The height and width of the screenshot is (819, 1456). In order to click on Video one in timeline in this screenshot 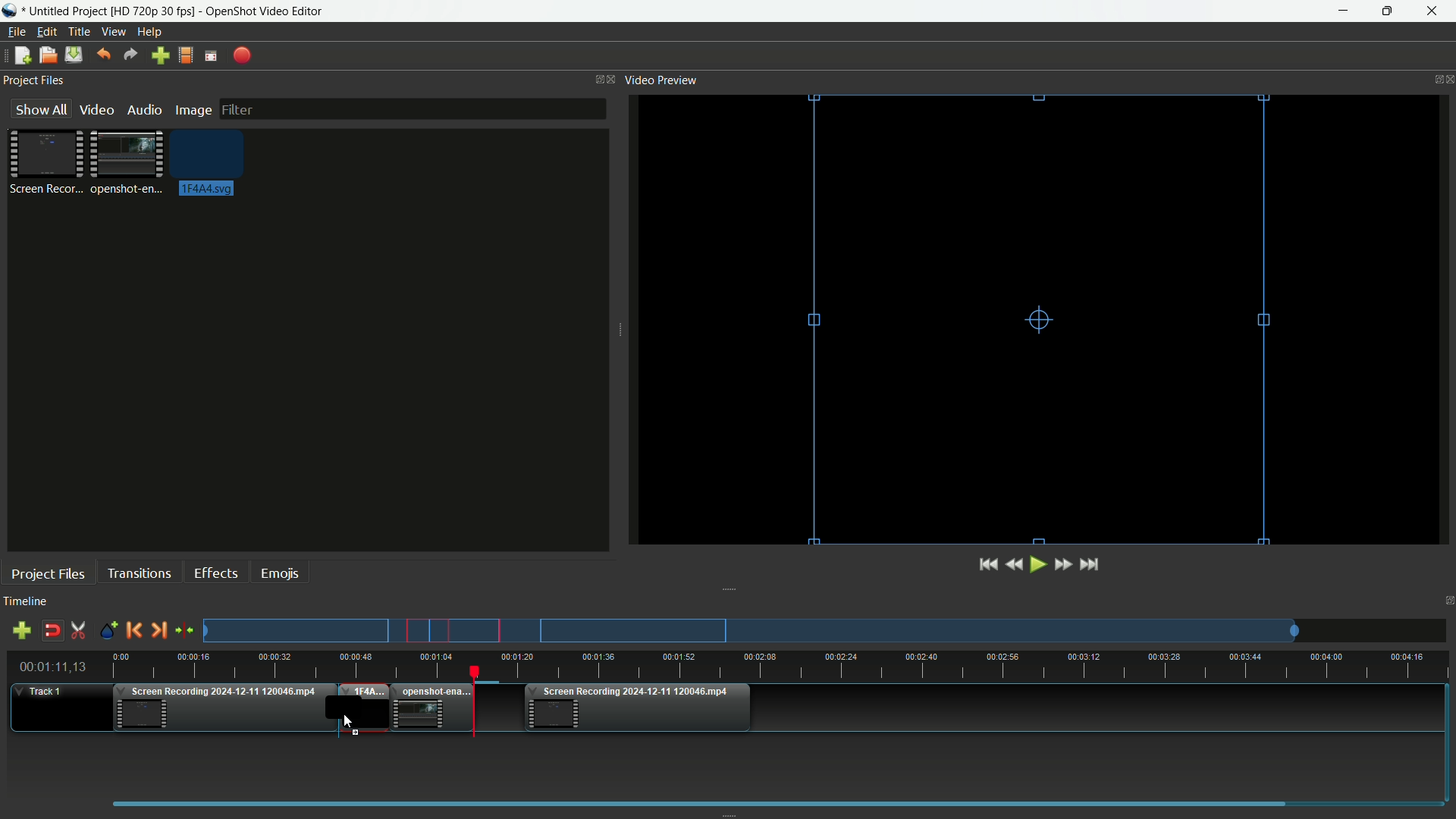, I will do `click(222, 711)`.